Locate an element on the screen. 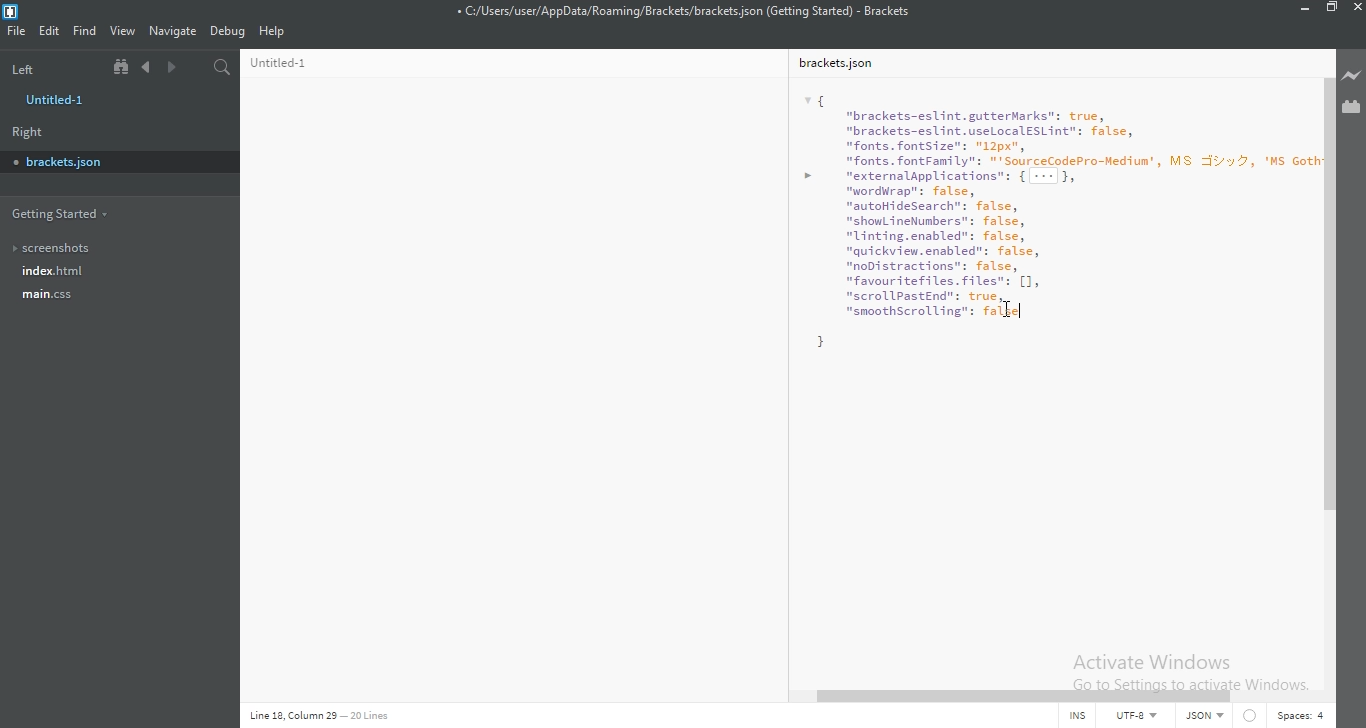  File name is located at coordinates (679, 14).